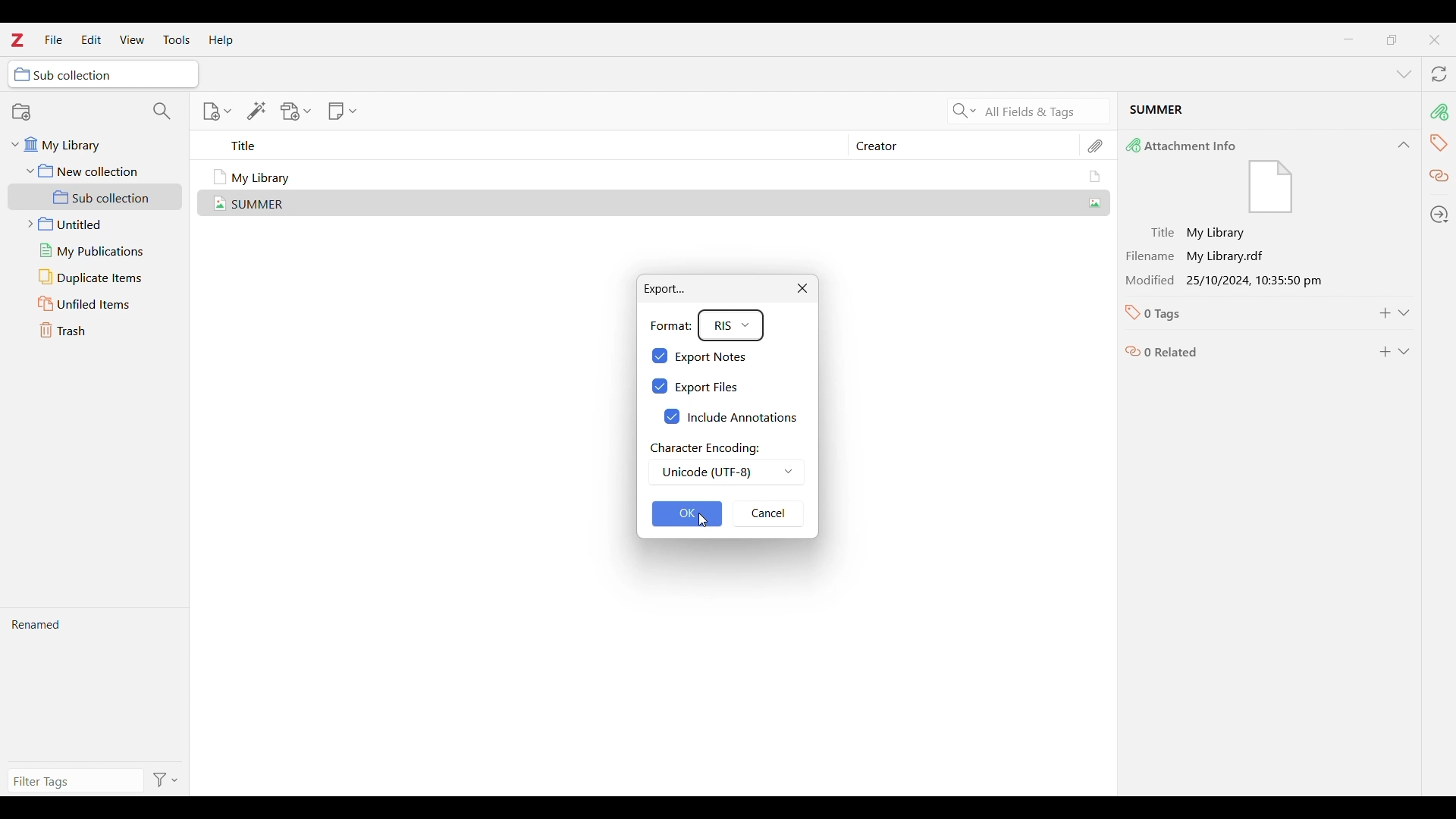  Describe the element at coordinates (532, 146) in the screenshot. I see `Title ` at that location.